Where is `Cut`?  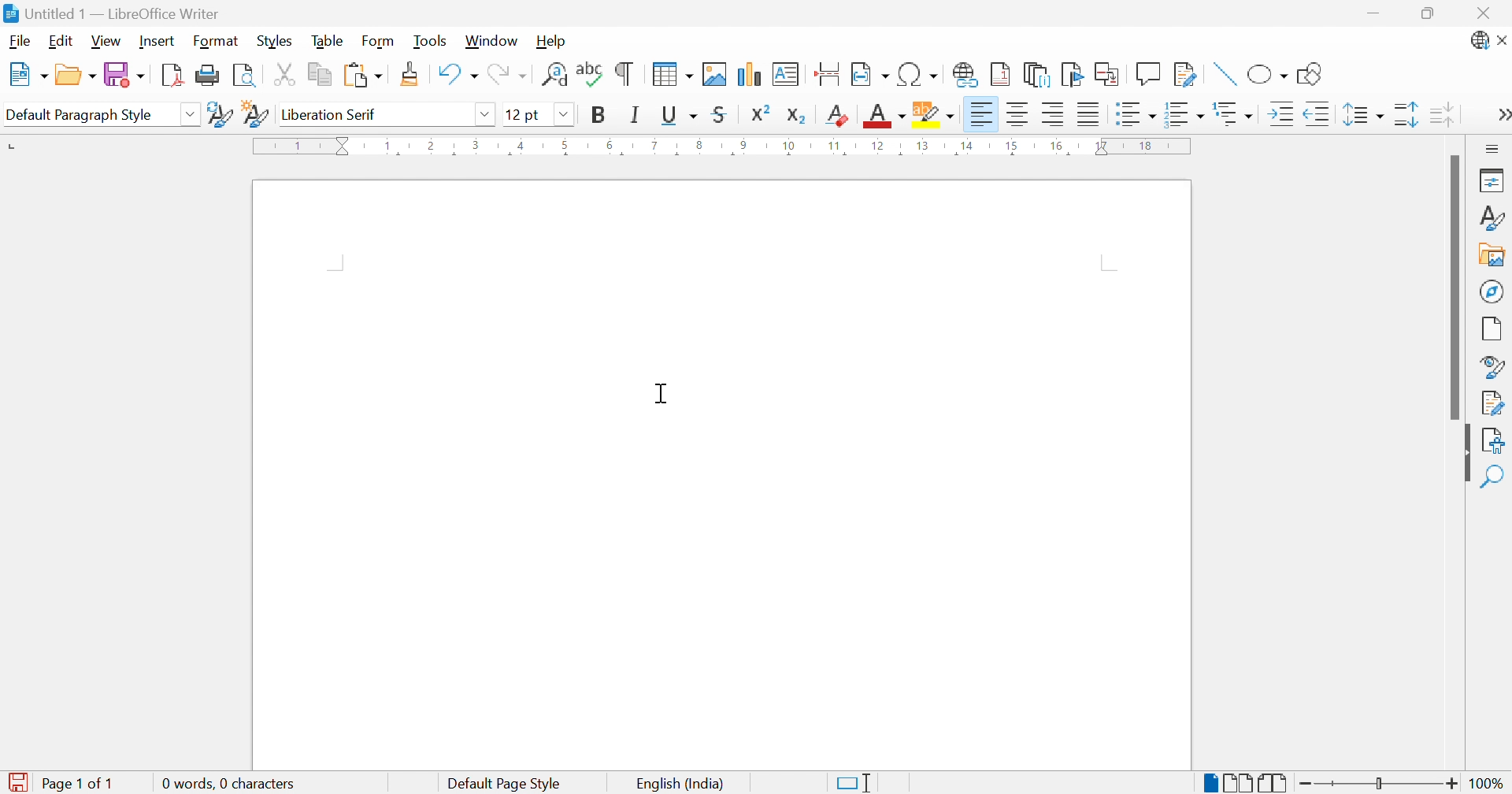
Cut is located at coordinates (283, 73).